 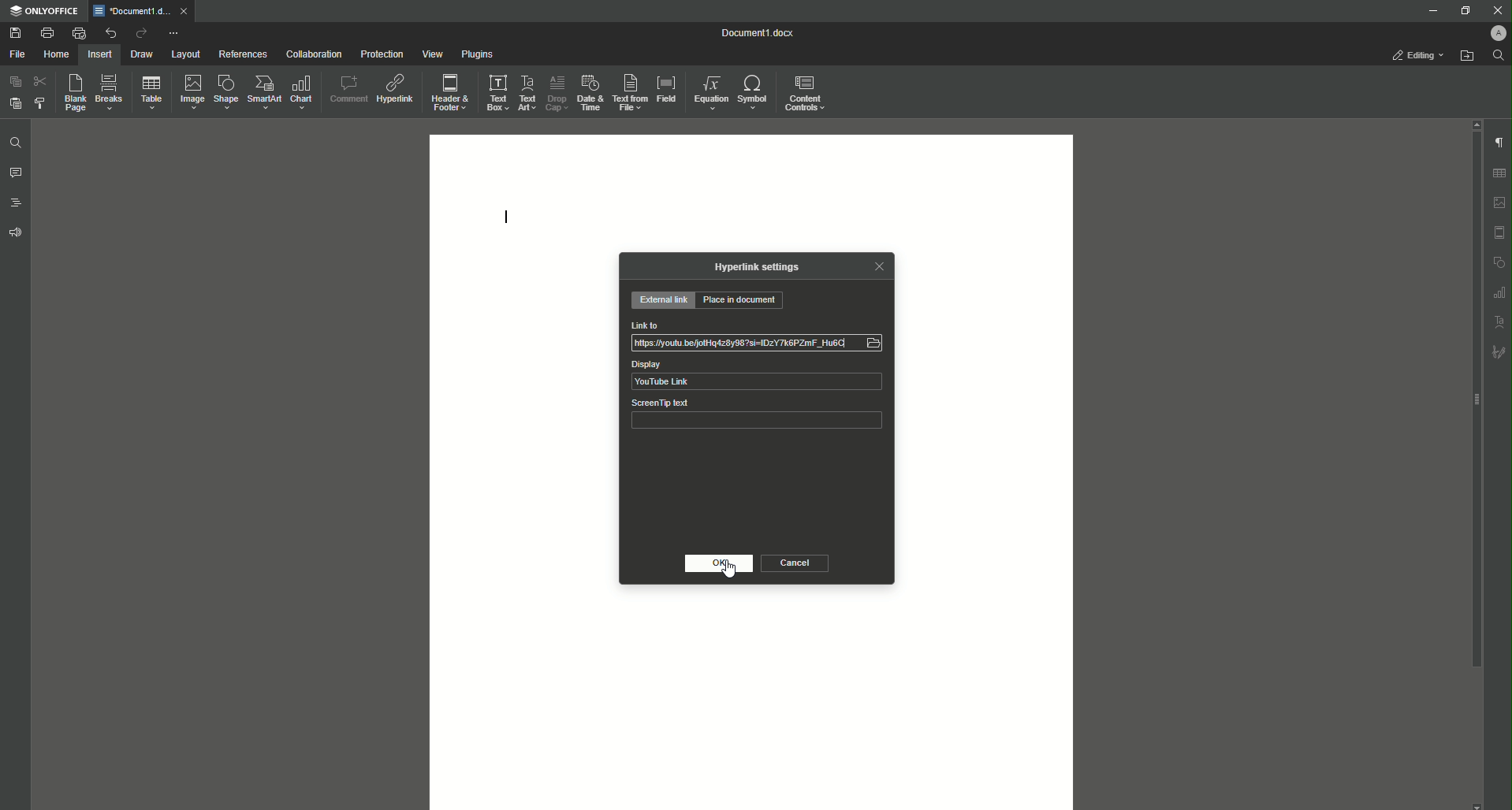 What do you see at coordinates (58, 54) in the screenshot?
I see `Home` at bounding box center [58, 54].